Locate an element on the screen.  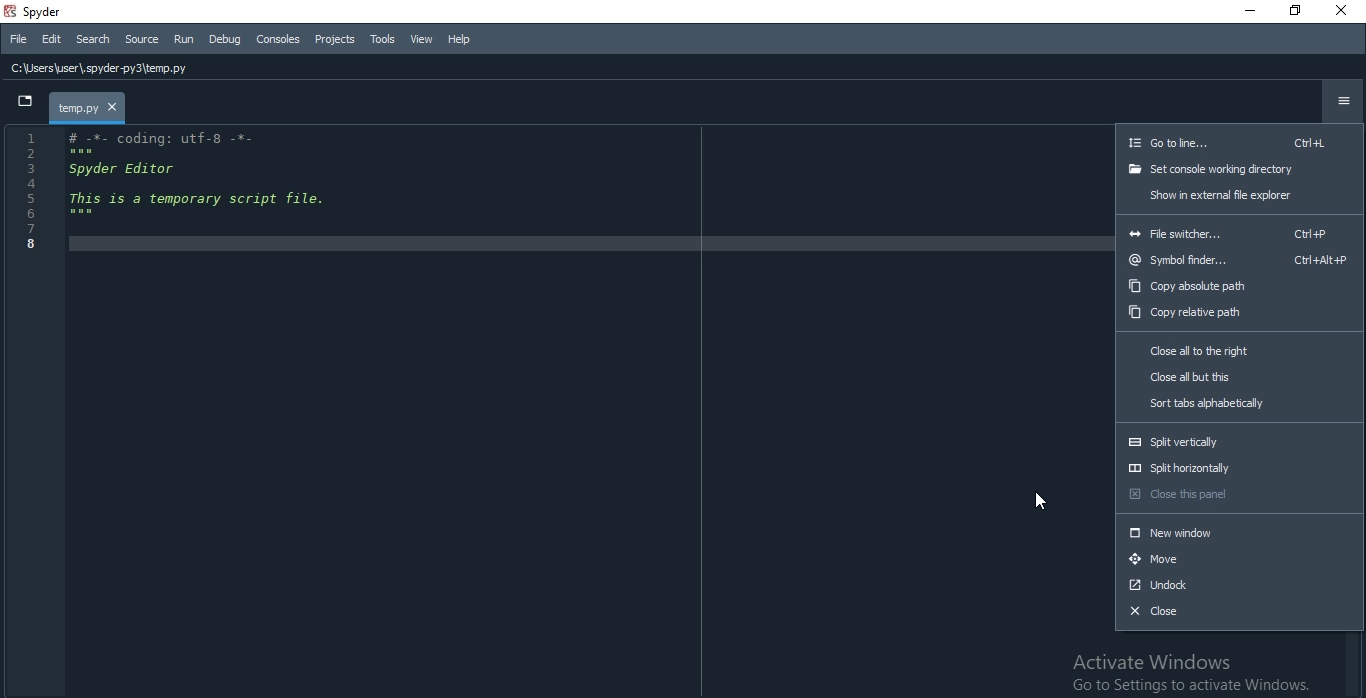
Search is located at coordinates (92, 40).